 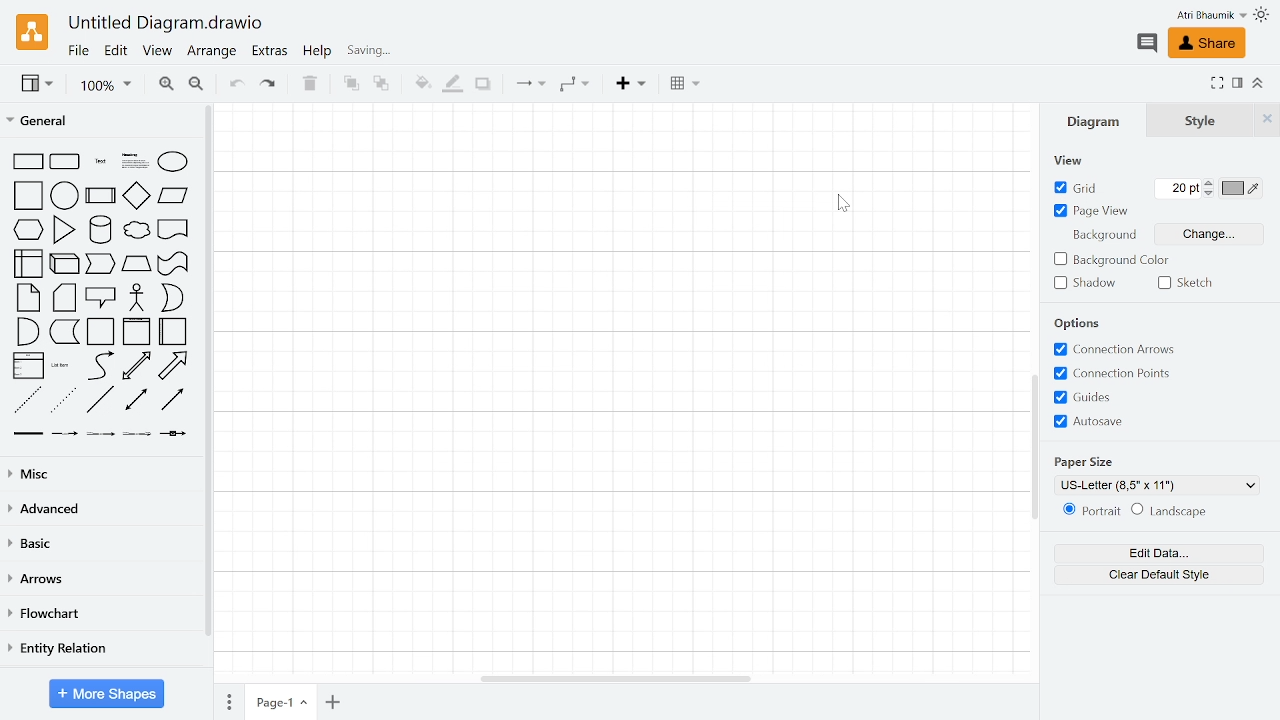 I want to click on CURSOR, so click(x=844, y=205).